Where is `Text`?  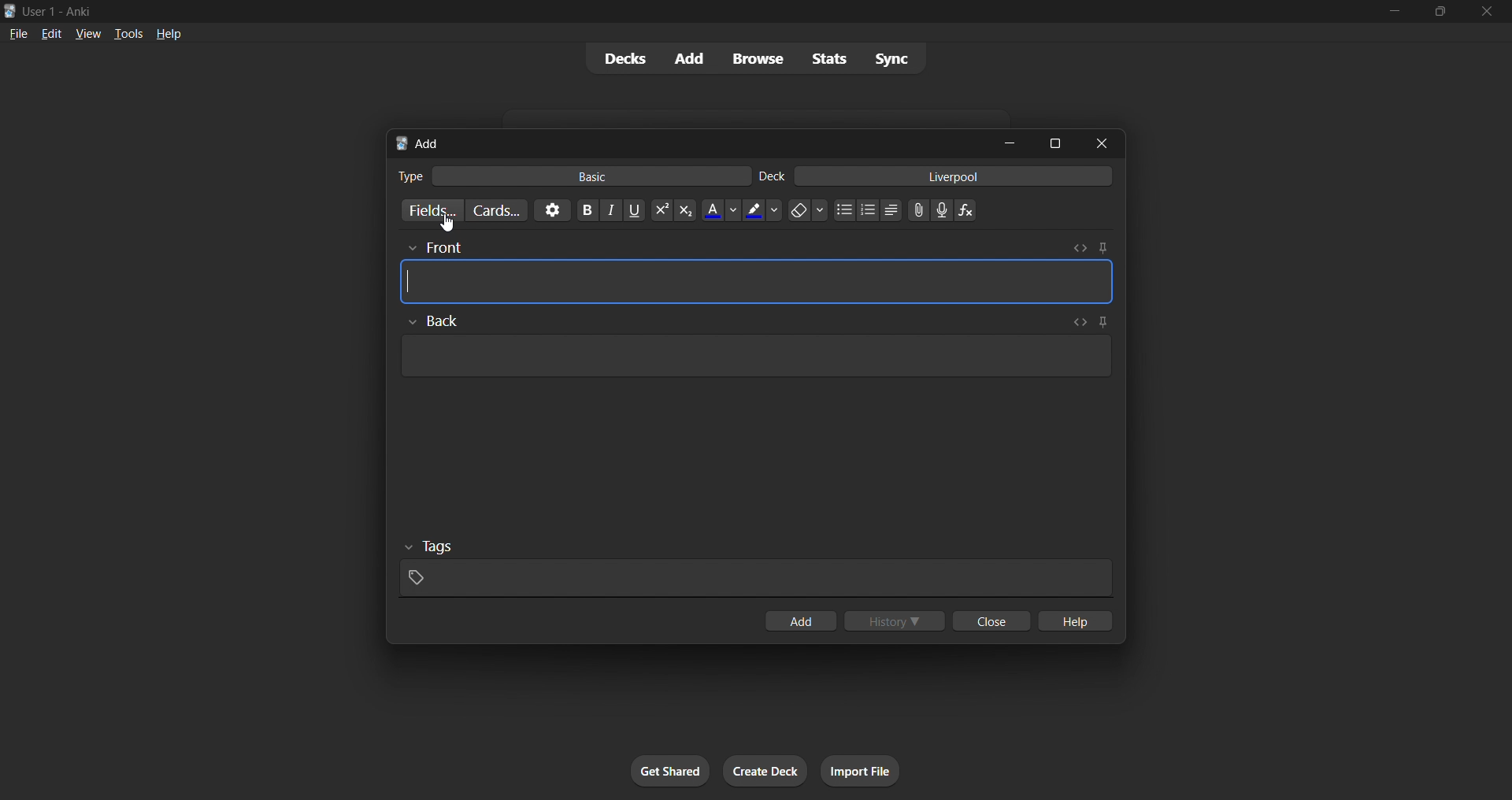 Text is located at coordinates (772, 176).